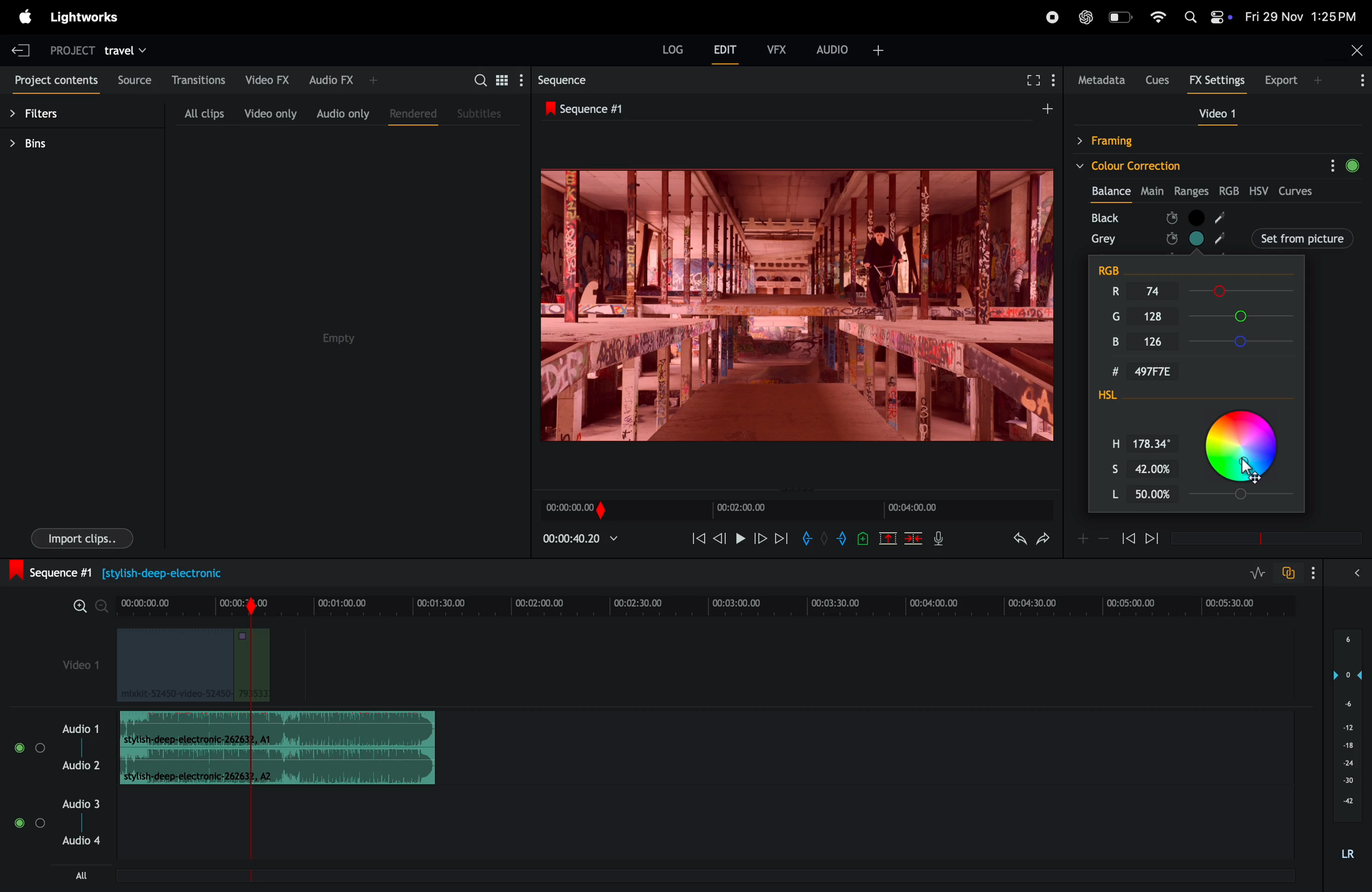 This screenshot has width=1372, height=892. What do you see at coordinates (1099, 80) in the screenshot?
I see `metadata` at bounding box center [1099, 80].